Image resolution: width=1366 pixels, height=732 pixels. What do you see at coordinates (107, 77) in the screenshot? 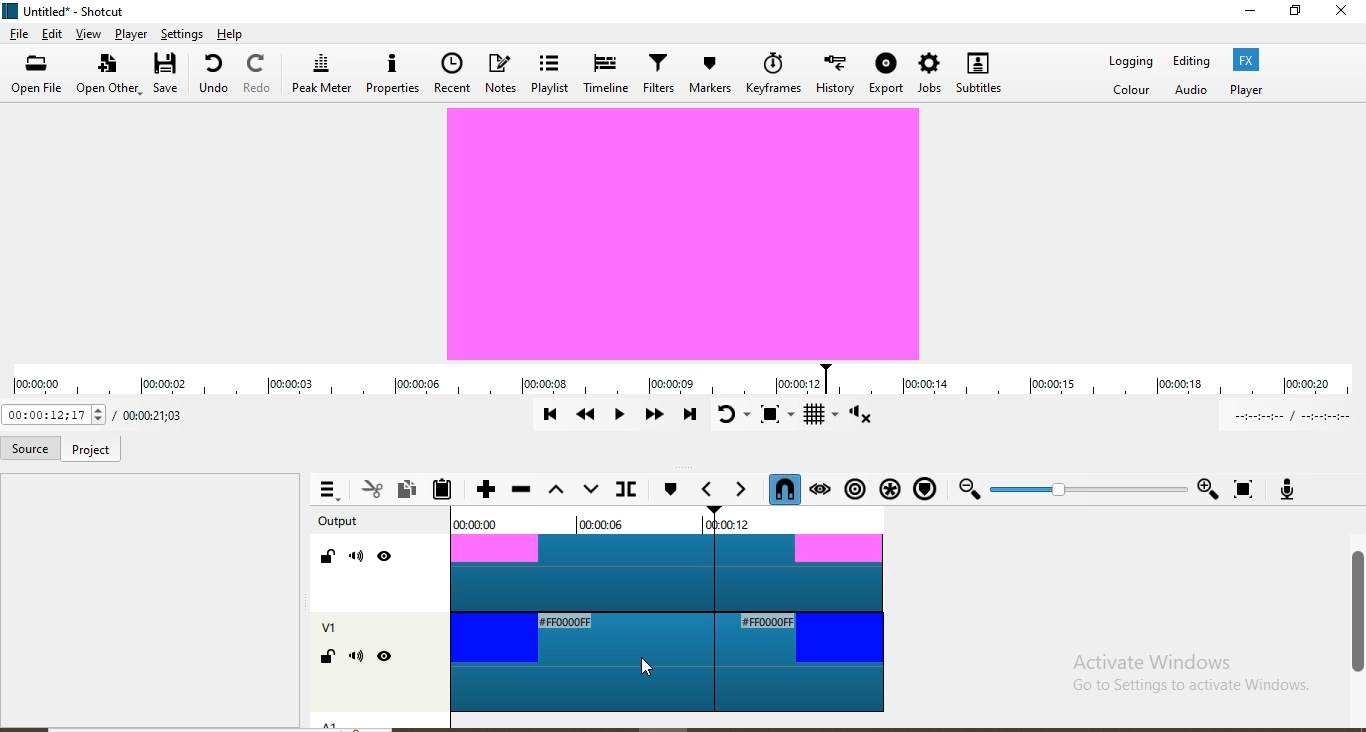
I see `open other ` at bounding box center [107, 77].